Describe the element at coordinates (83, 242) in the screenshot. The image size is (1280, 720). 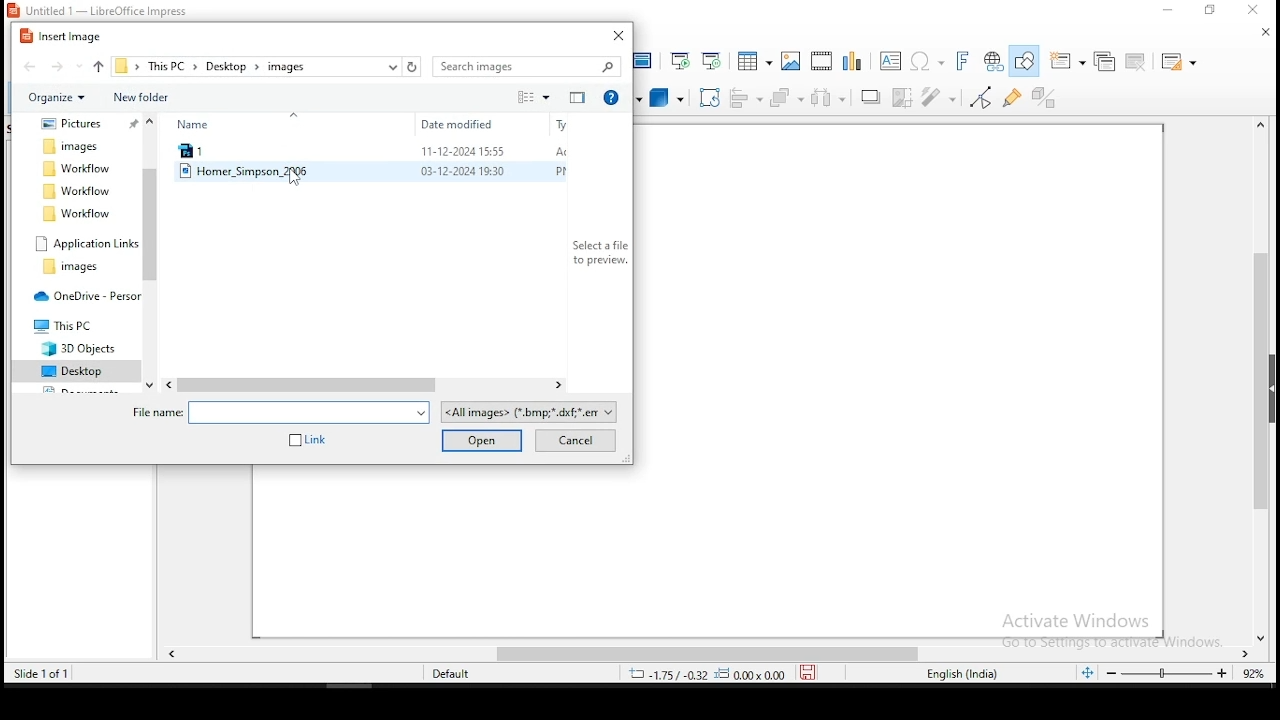
I see `system folder` at that location.